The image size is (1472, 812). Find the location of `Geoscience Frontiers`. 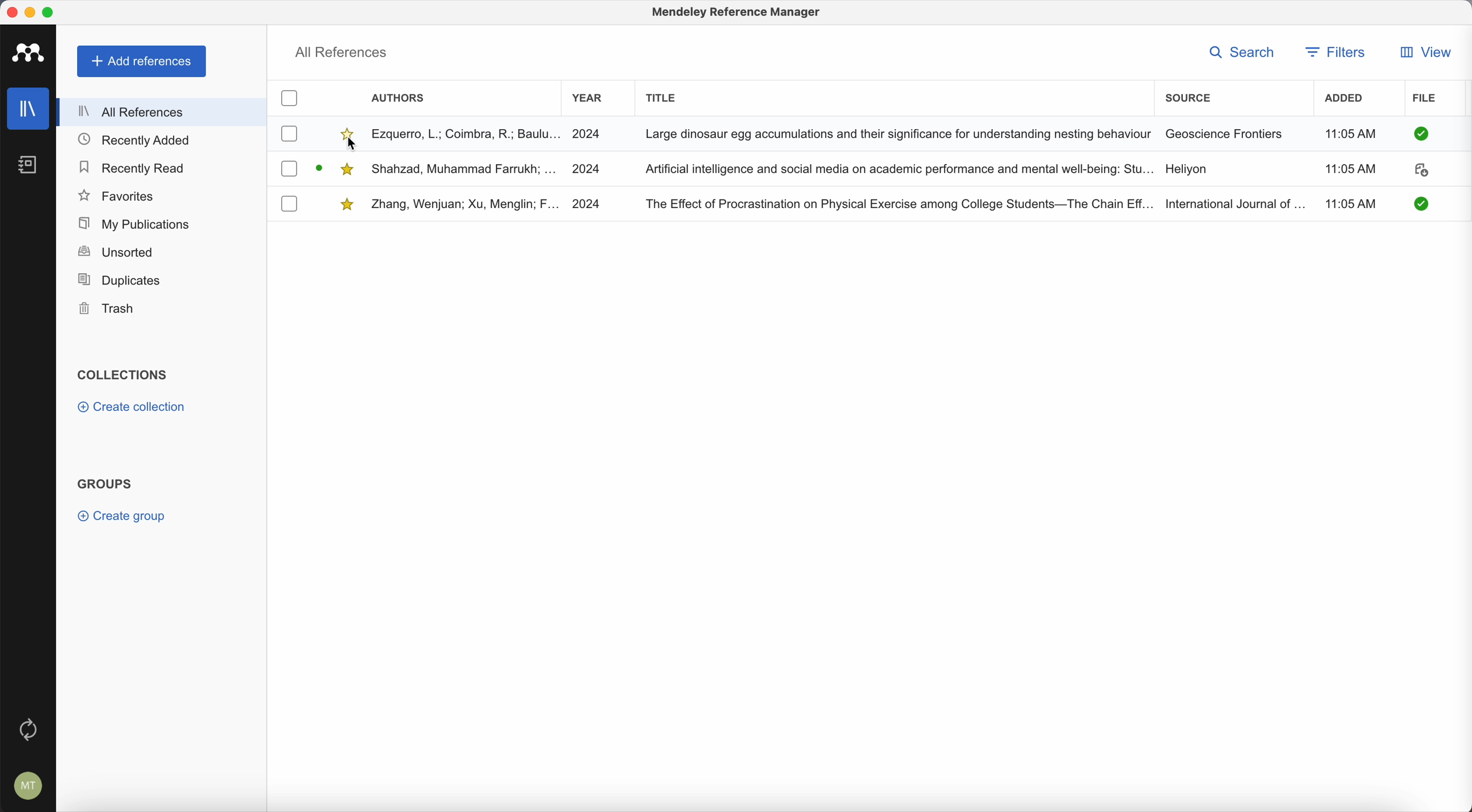

Geoscience Frontiers is located at coordinates (1225, 133).